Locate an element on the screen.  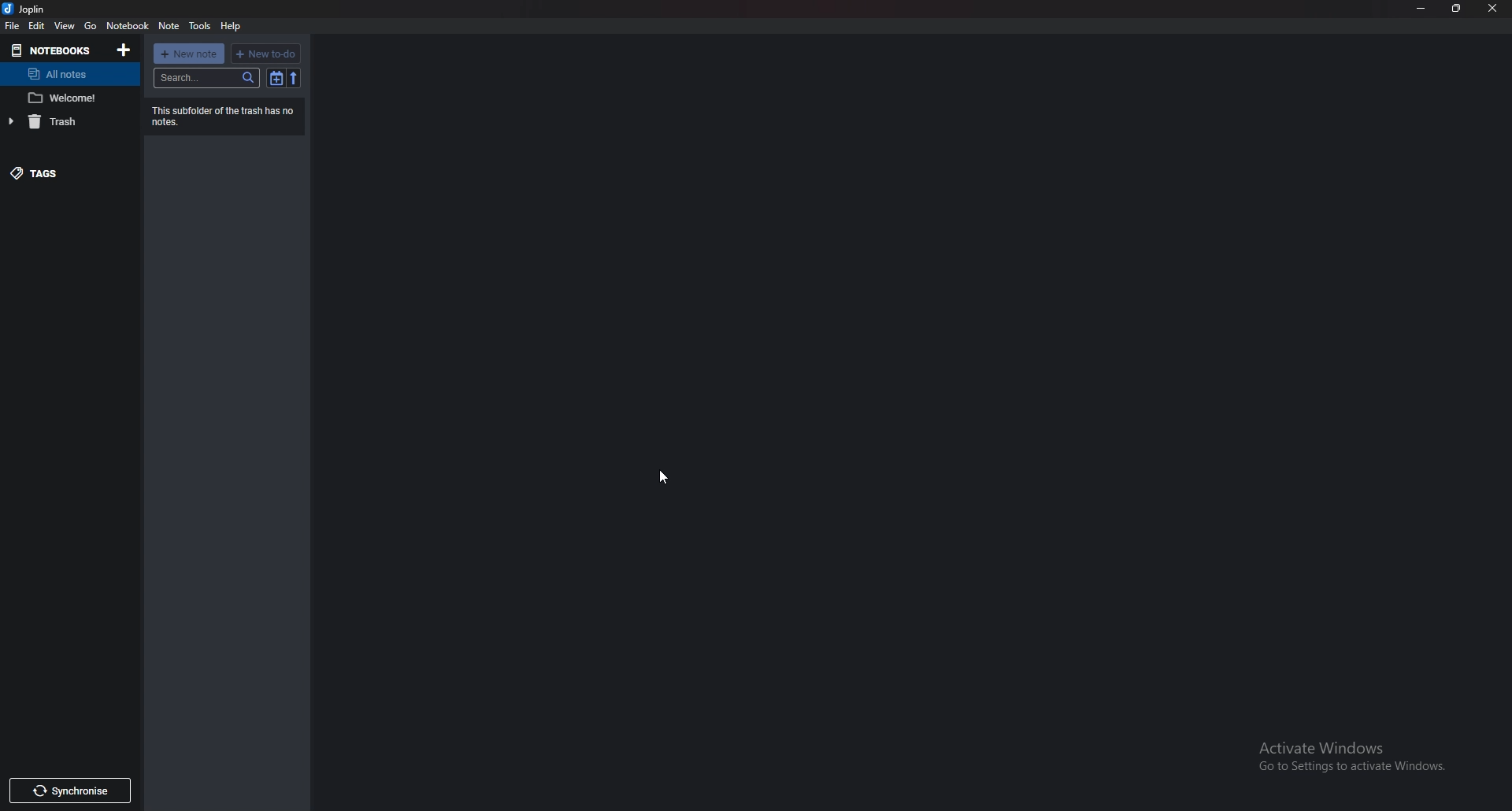
Info is located at coordinates (232, 117).